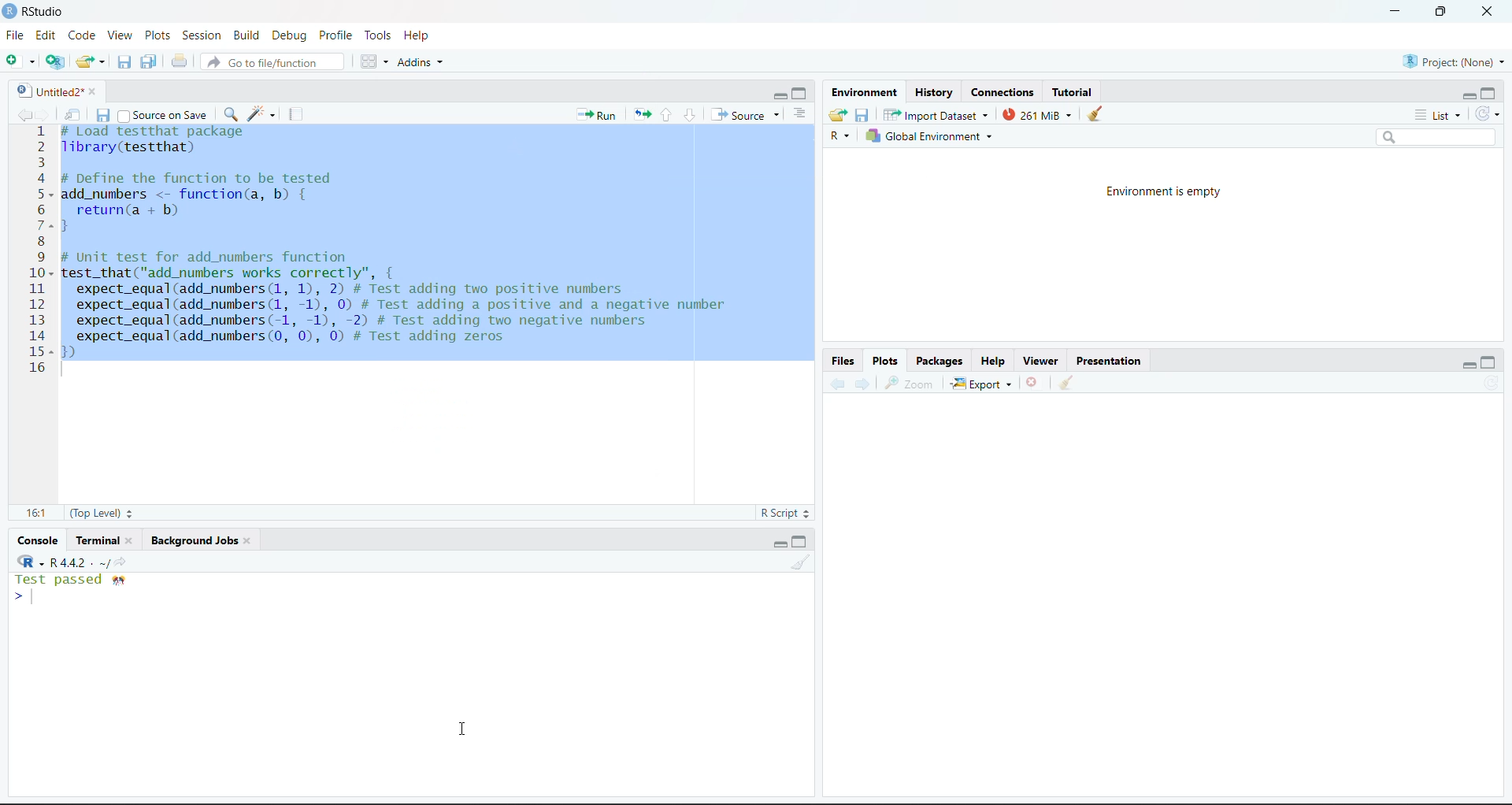 The width and height of the screenshot is (1512, 805). What do you see at coordinates (95, 91) in the screenshot?
I see `close` at bounding box center [95, 91].